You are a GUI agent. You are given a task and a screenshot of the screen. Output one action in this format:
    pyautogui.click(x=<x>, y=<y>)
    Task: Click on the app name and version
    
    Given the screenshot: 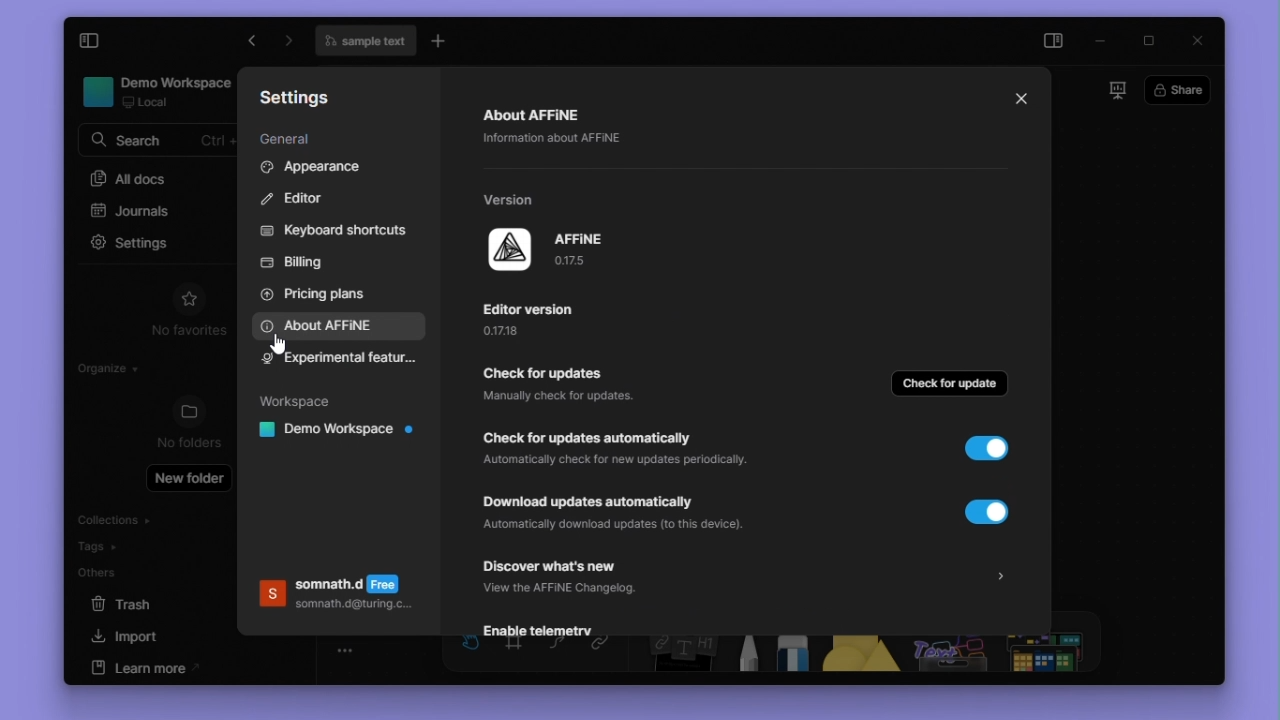 What is the action you would take?
    pyautogui.click(x=580, y=250)
    